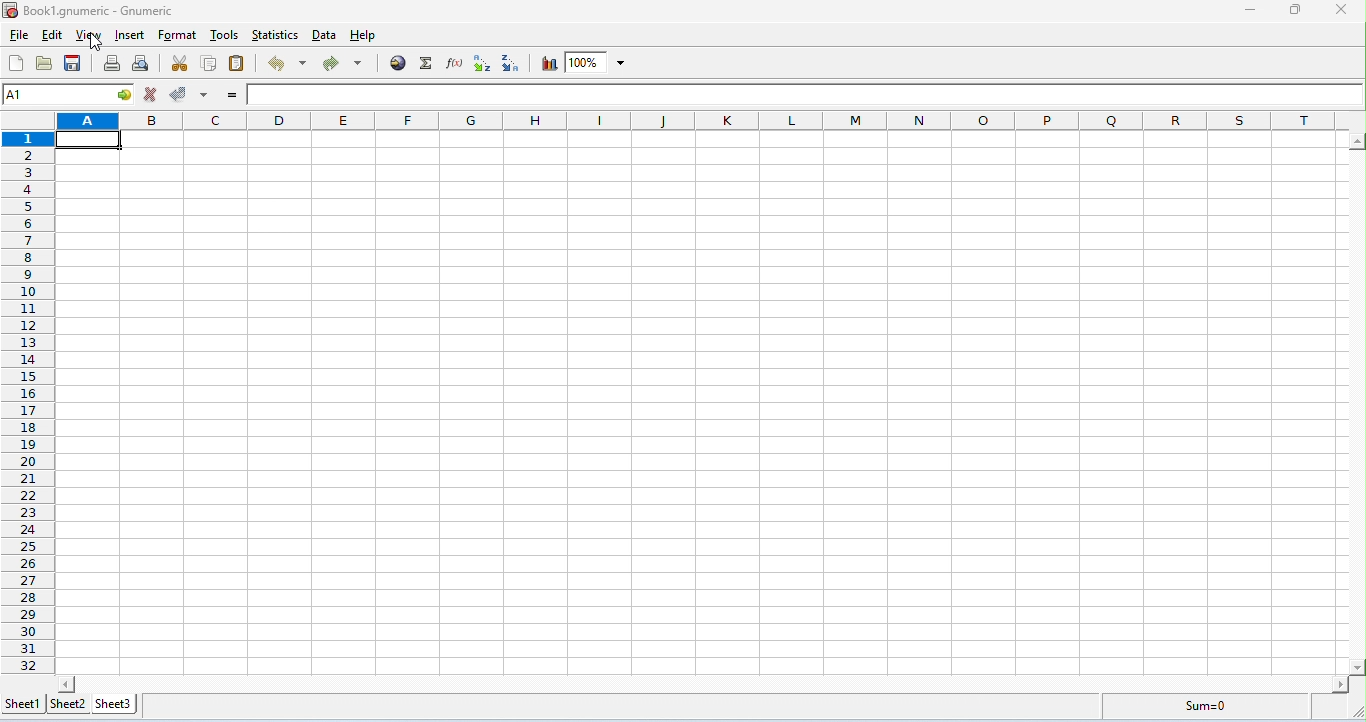  I want to click on accept, so click(178, 93).